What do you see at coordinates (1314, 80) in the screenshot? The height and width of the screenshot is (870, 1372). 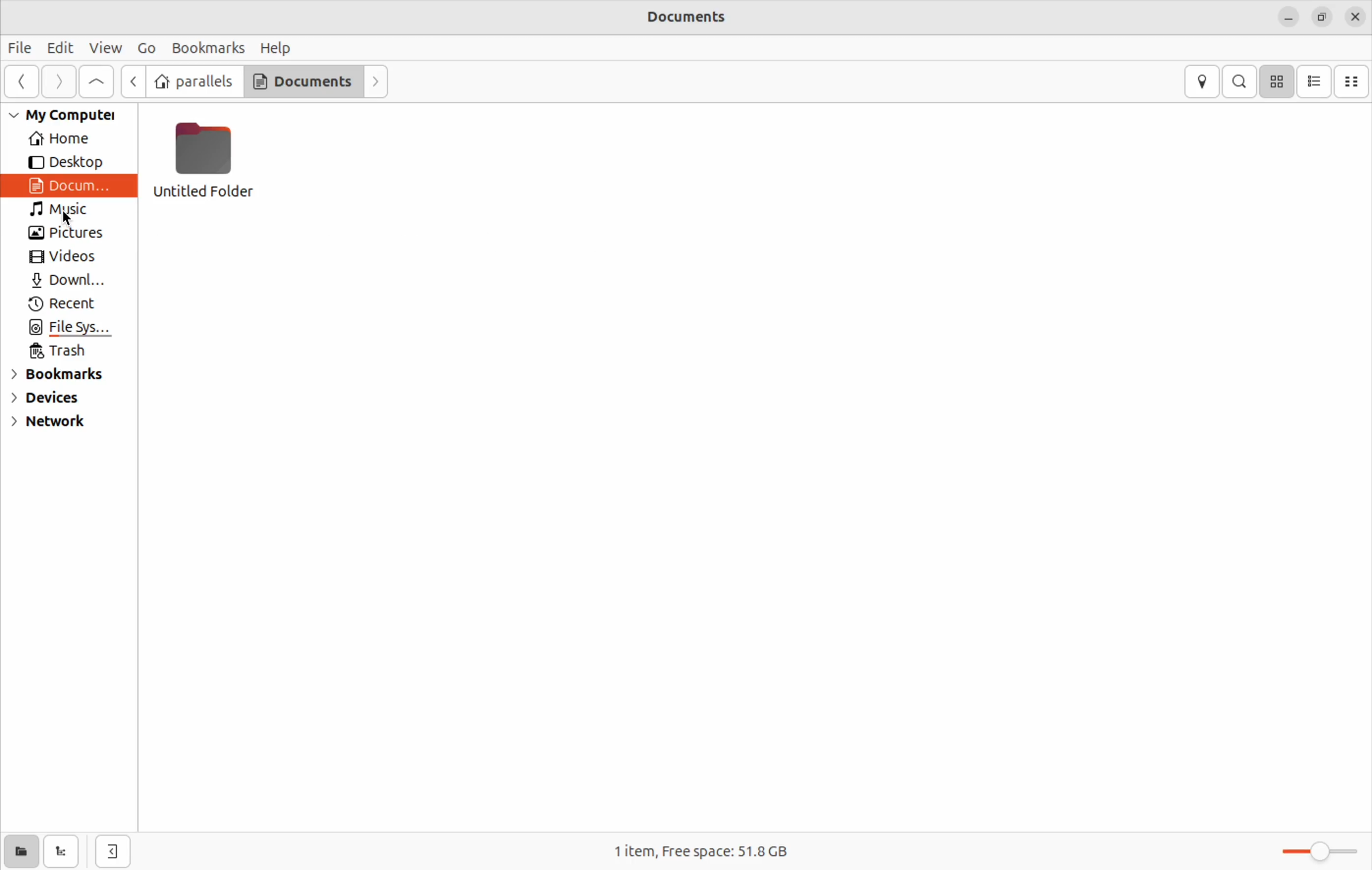 I see `List view` at bounding box center [1314, 80].